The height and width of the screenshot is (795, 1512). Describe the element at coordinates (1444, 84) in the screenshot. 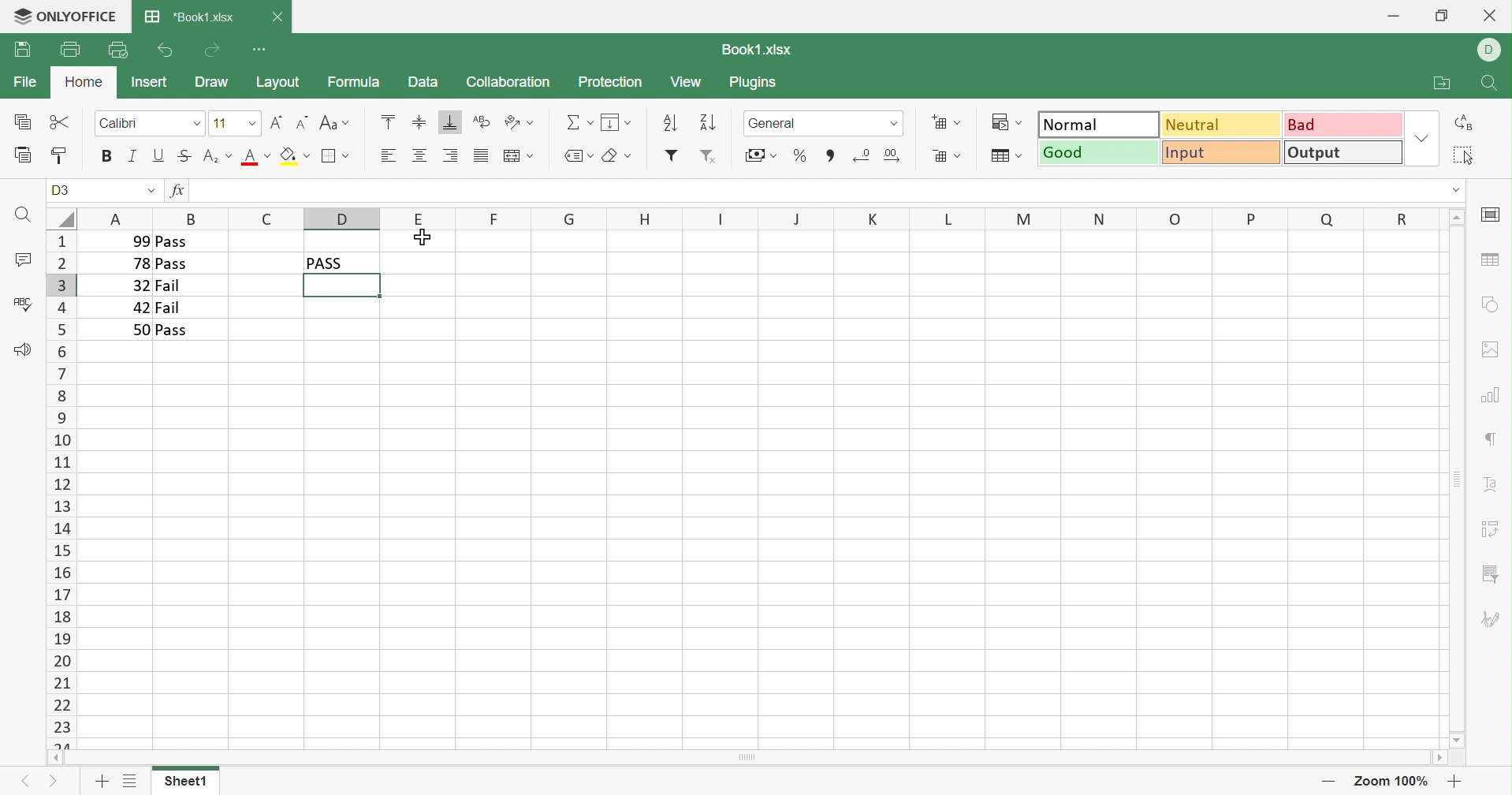

I see `Go to file location` at that location.